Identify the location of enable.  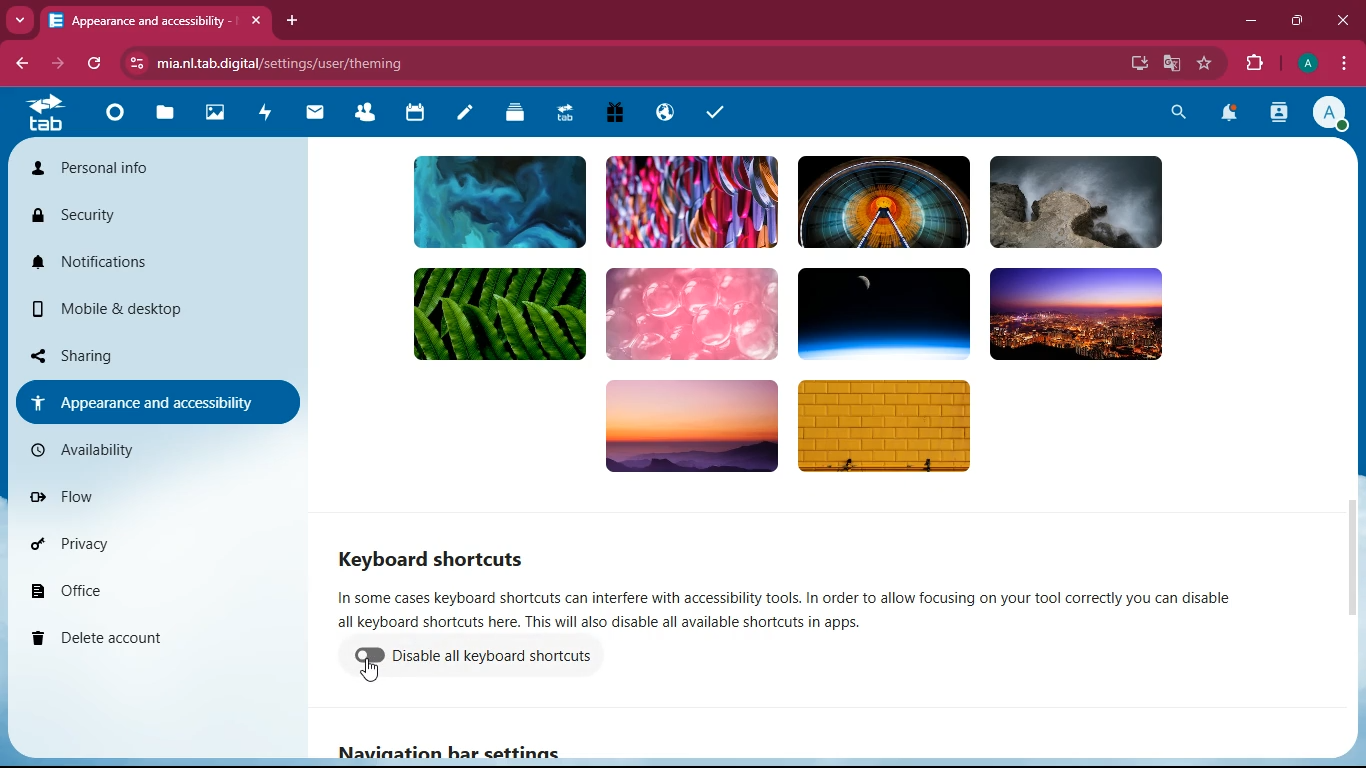
(373, 658).